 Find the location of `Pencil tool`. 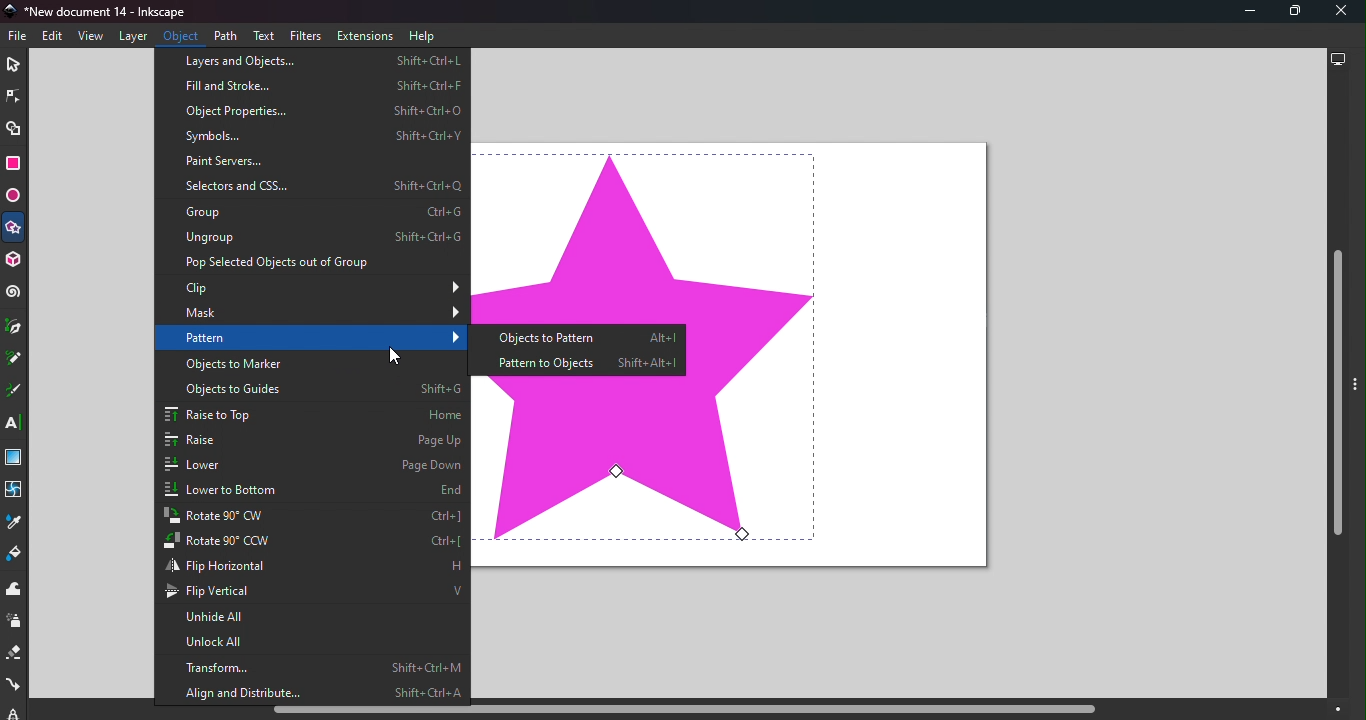

Pencil tool is located at coordinates (14, 360).